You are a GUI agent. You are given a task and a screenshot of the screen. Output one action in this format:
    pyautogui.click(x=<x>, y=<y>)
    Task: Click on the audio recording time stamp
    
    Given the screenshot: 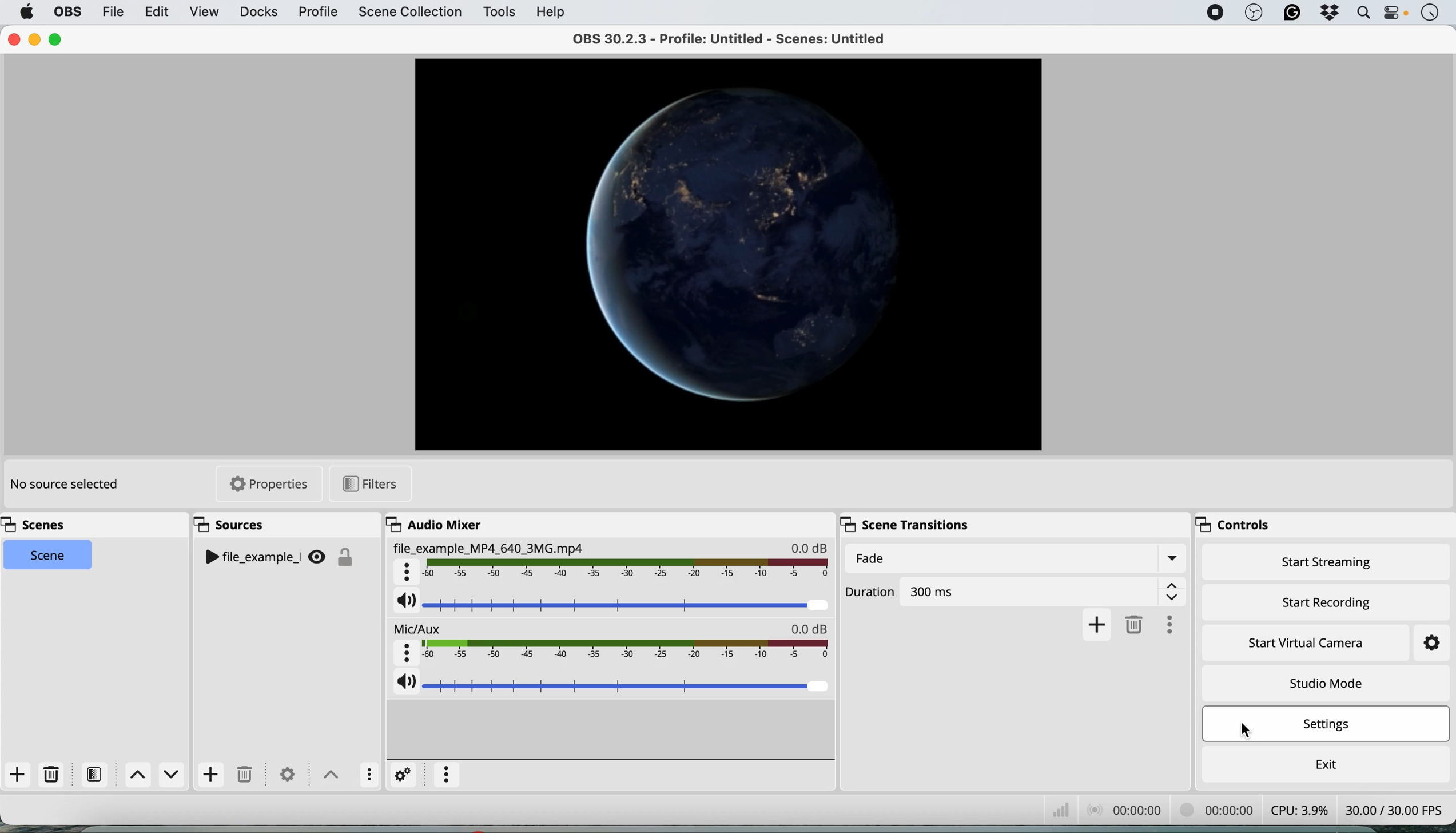 What is the action you would take?
    pyautogui.click(x=1123, y=808)
    